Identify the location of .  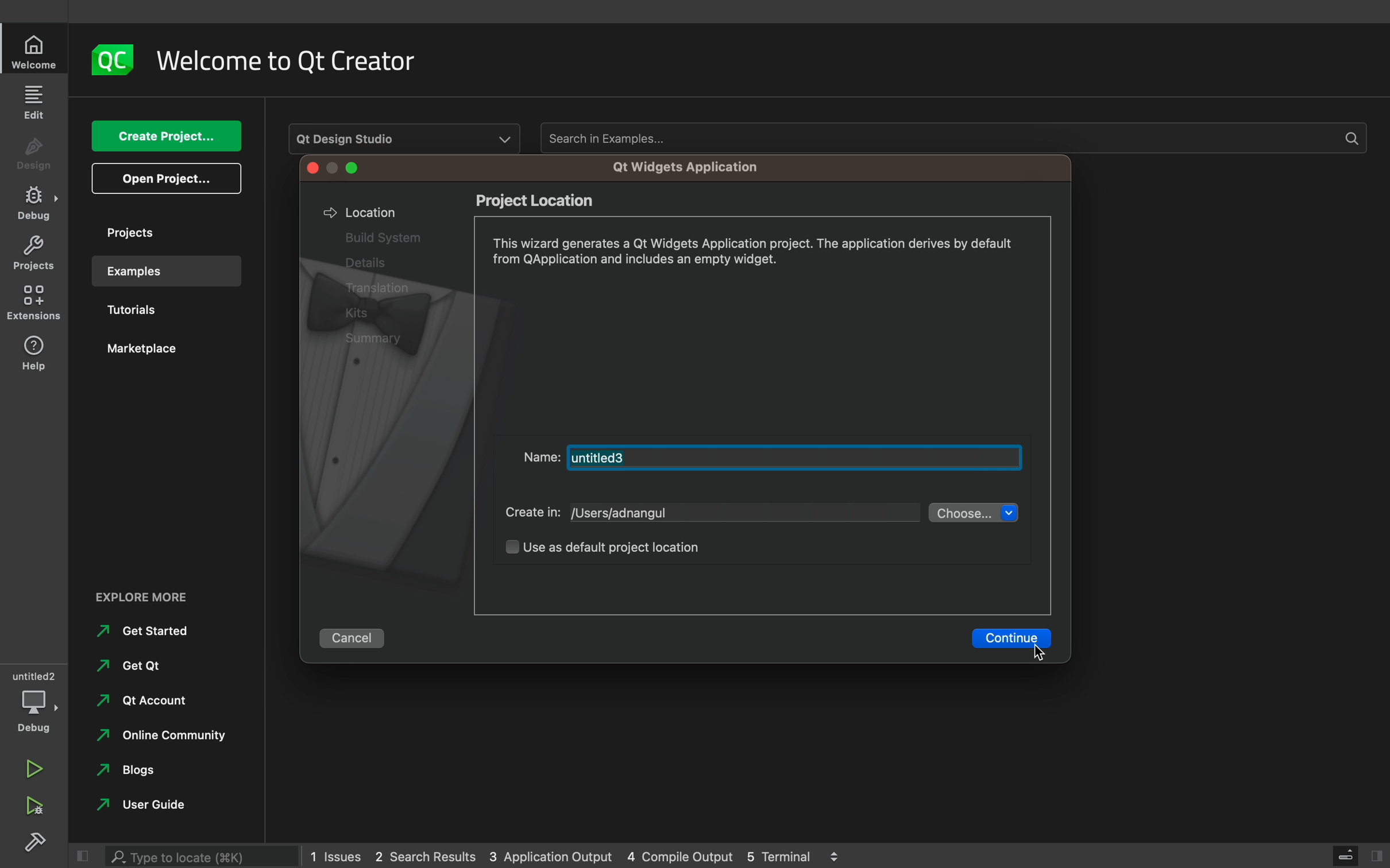
(38, 844).